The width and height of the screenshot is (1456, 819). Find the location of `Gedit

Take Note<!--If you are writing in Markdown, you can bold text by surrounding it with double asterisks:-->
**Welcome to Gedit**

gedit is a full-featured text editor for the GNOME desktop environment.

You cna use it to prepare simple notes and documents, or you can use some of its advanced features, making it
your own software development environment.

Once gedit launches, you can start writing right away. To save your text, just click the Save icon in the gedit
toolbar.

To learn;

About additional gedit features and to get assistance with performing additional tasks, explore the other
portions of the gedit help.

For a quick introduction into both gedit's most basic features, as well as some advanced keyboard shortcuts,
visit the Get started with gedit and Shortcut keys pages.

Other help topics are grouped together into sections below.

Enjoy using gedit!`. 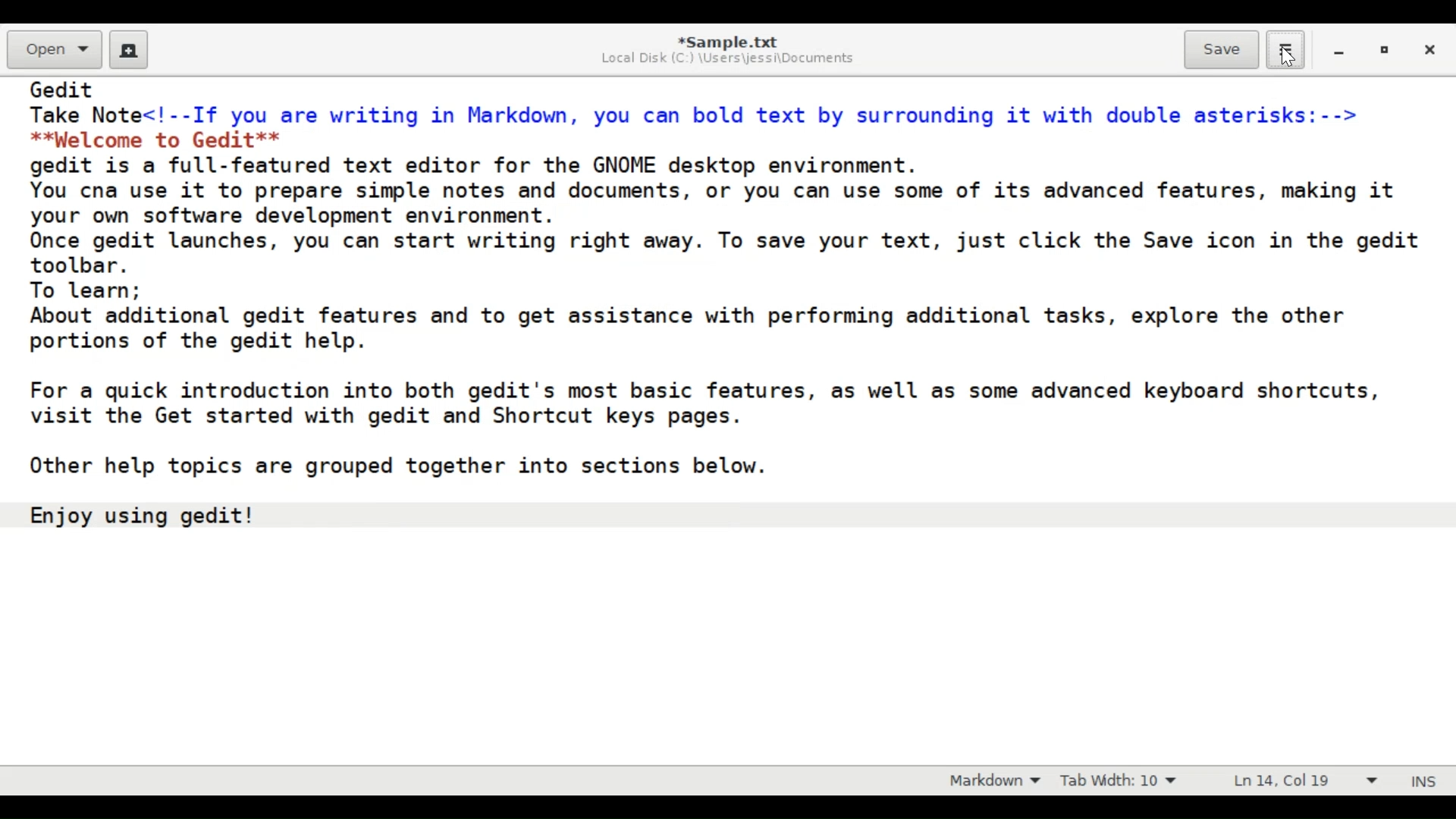

Gedit

Take Note<!--If you are writing in Markdown, you can bold text by surrounding it with double asterisks:-->
**Welcome to Gedit**

gedit is a full-featured text editor for the GNOME desktop environment.

You cna use it to prepare simple notes and documents, or you can use some of its advanced features, making it
your own software development environment.

Once gedit launches, you can start writing right away. To save your text, just click the Save icon in the gedit
toolbar.

To learn;

About additional gedit features and to get assistance with performing additional tasks, explore the other
portions of the gedit help.

For a quick introduction into both gedit's most basic features, as well as some advanced keyboard shortcuts,
visit the Get started with gedit and Shortcut keys pages.

Other help topics are grouped together into sections below.

Enjoy using gedit! is located at coordinates (725, 316).